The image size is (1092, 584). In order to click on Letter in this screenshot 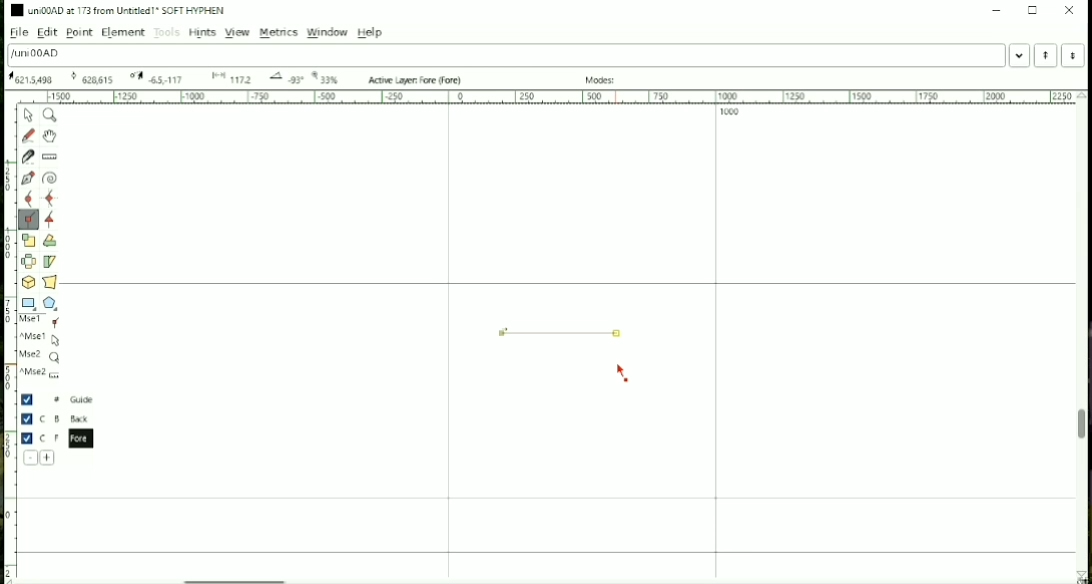, I will do `click(36, 54)`.